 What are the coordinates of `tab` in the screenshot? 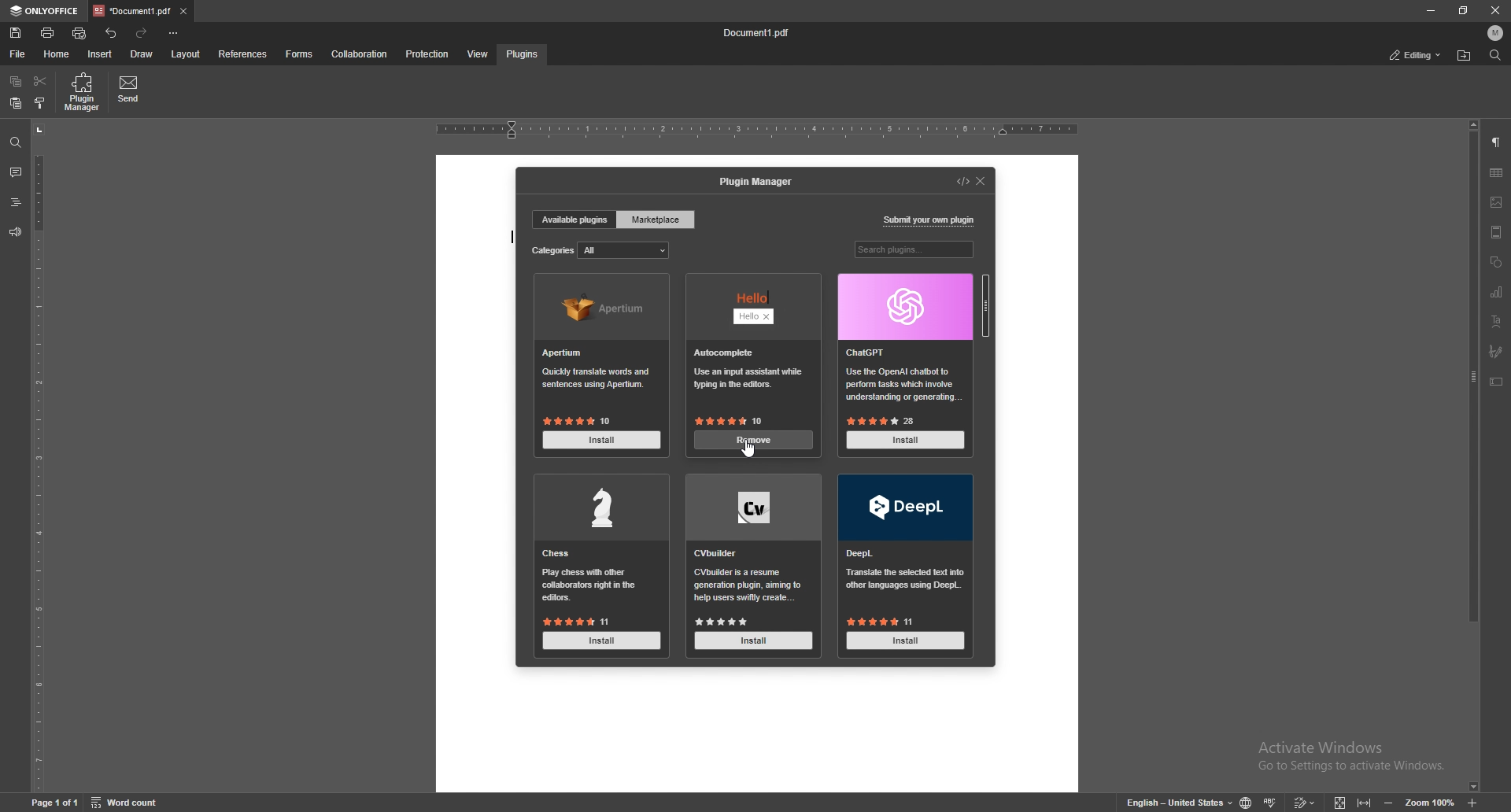 It's located at (131, 13).